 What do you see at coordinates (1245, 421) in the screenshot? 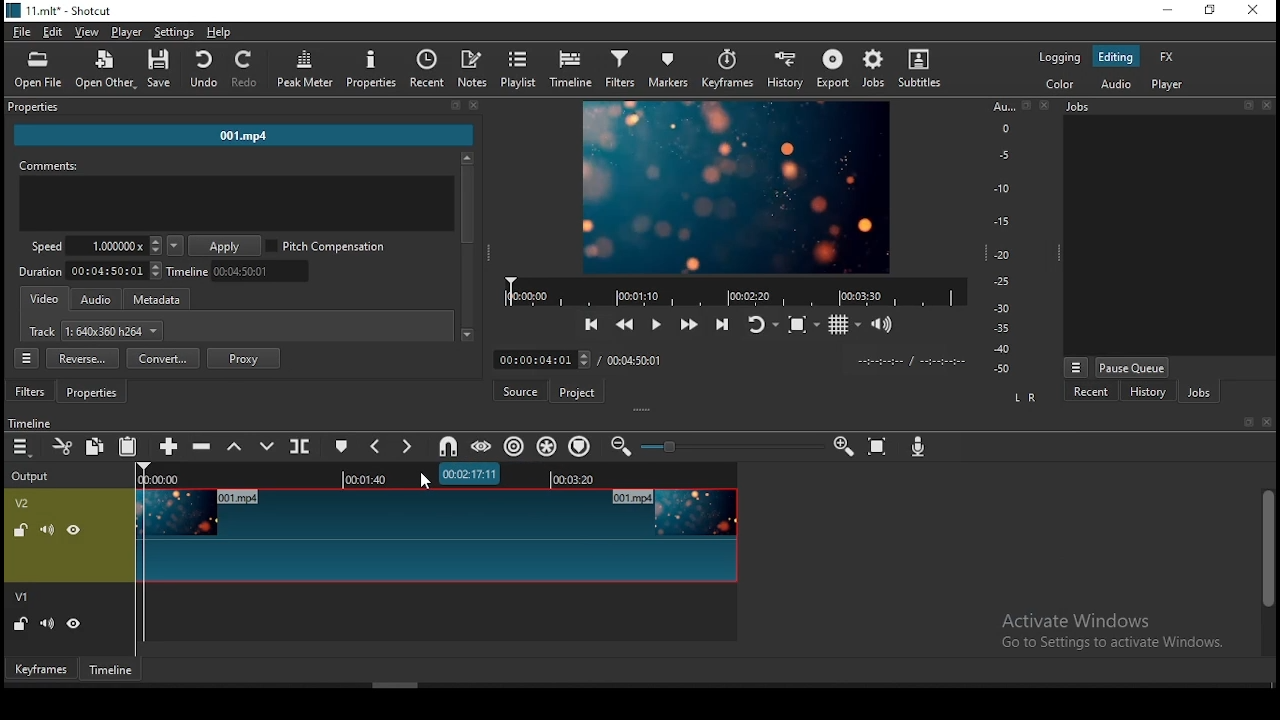
I see `MAXIMIZE` at bounding box center [1245, 421].